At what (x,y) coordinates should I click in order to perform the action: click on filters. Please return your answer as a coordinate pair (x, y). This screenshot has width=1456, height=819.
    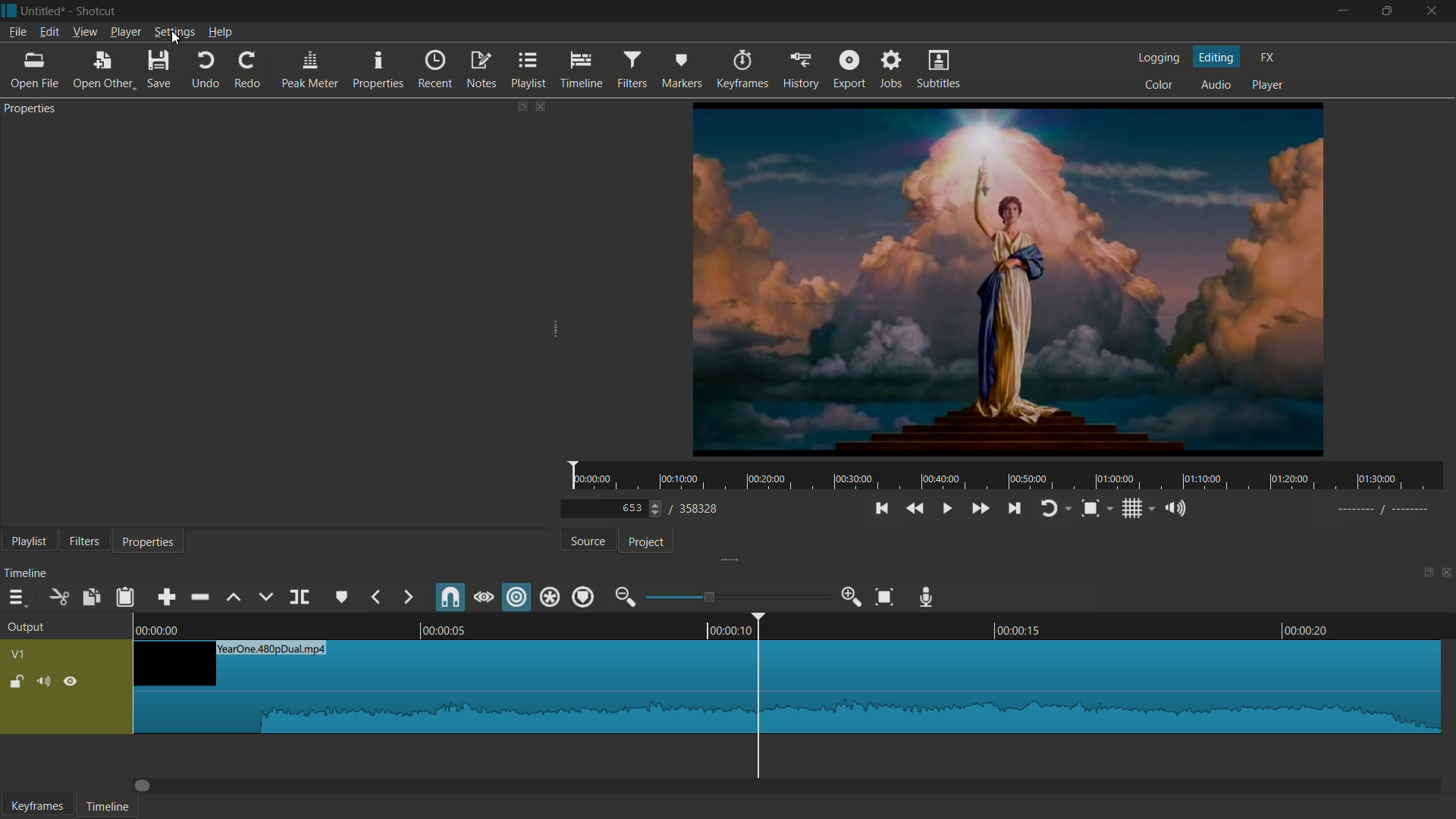
    Looking at the image, I should click on (629, 68).